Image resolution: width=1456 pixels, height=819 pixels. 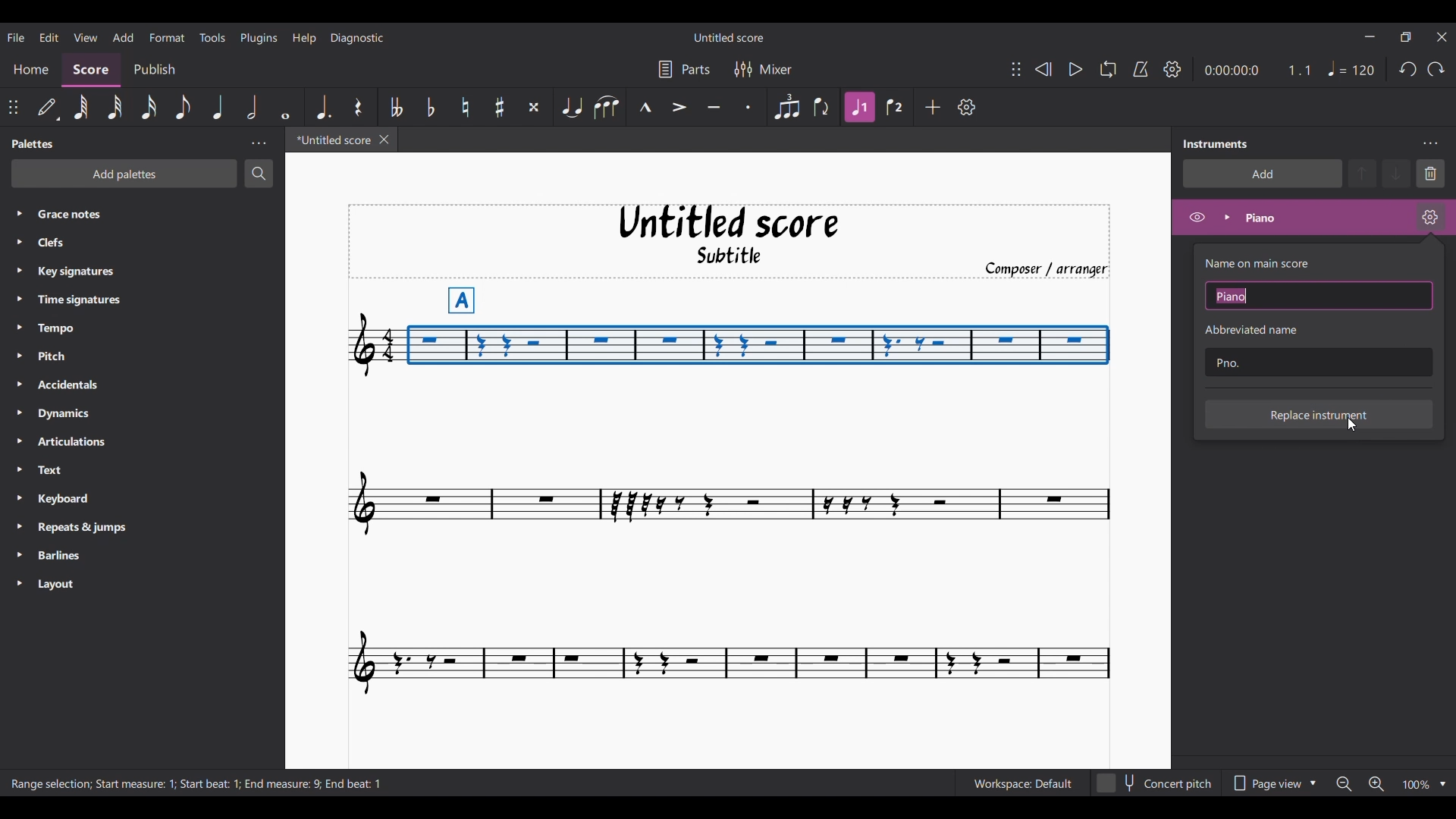 What do you see at coordinates (1227, 218) in the screenshot?
I see `Expand instrument` at bounding box center [1227, 218].